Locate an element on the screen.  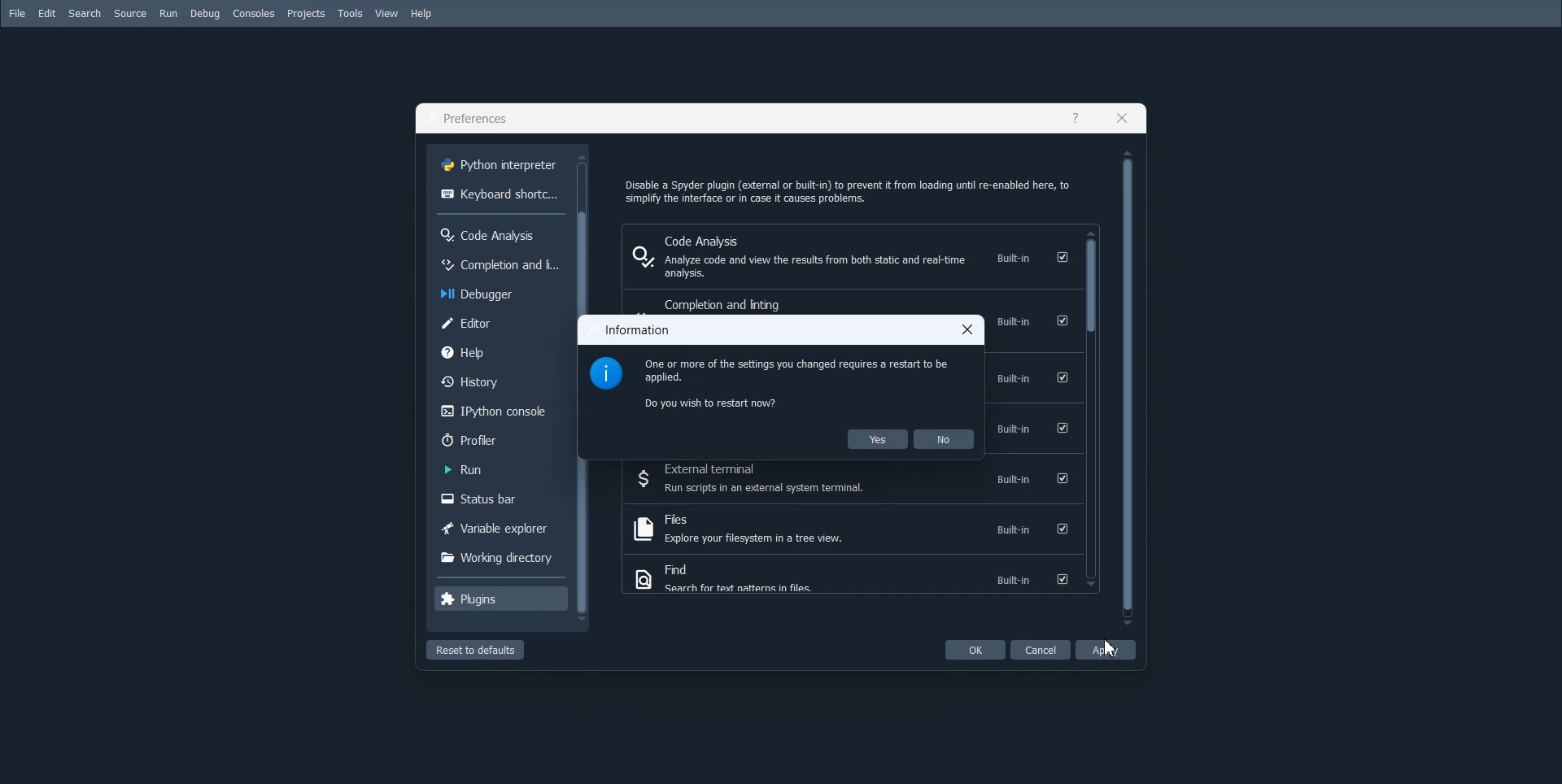
Tools is located at coordinates (350, 14).